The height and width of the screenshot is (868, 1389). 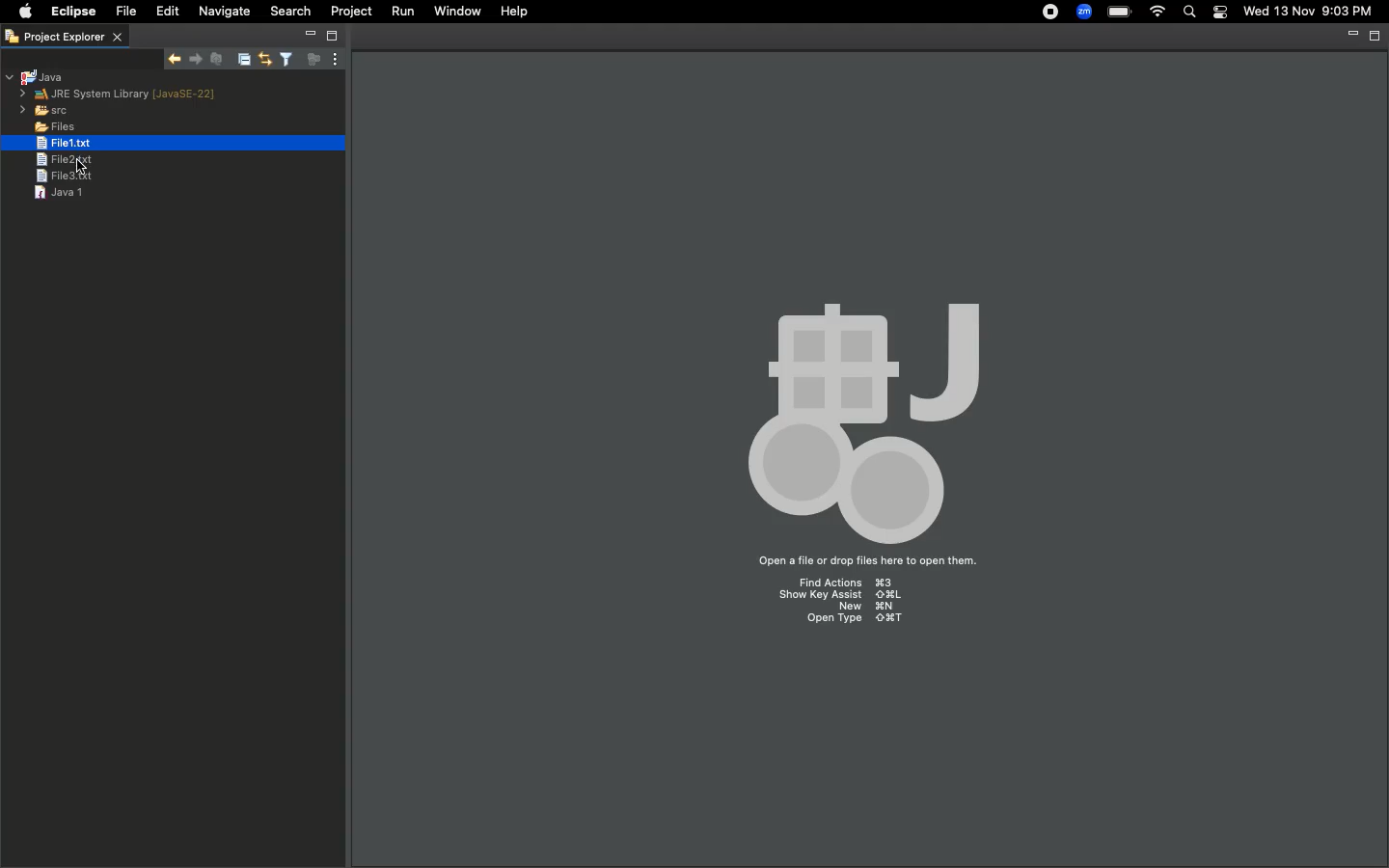 I want to click on View menu, so click(x=333, y=60).